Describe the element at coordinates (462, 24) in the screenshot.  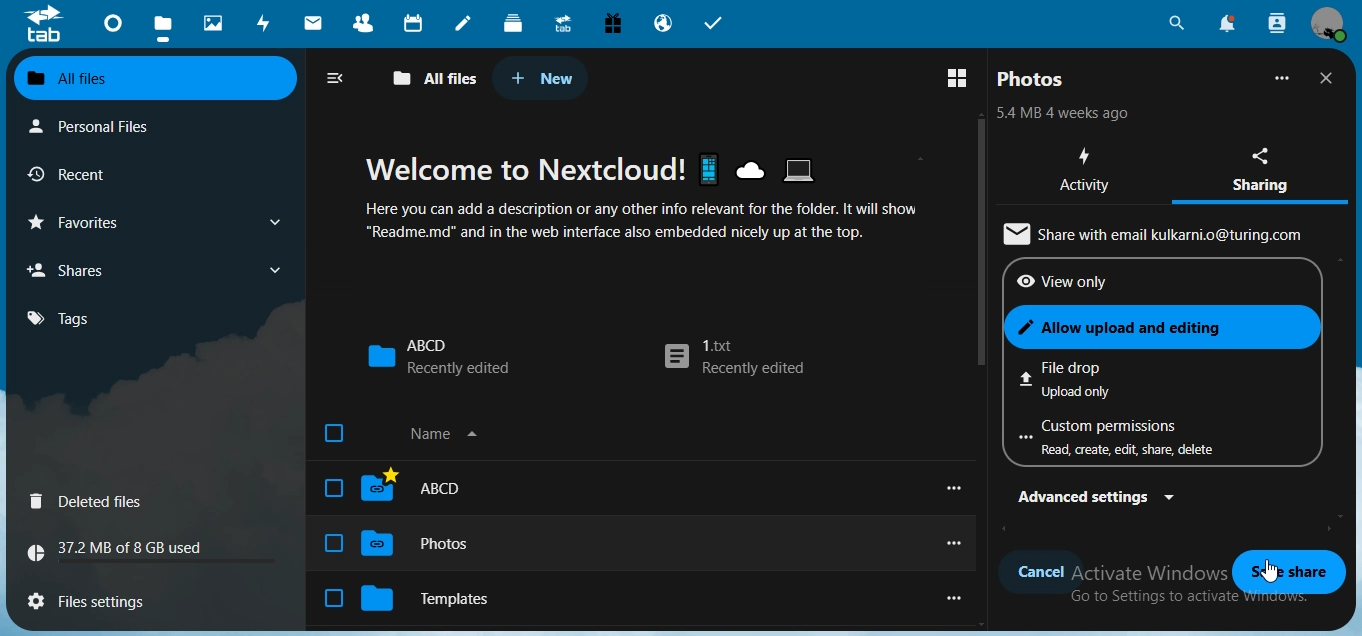
I see `notes` at that location.